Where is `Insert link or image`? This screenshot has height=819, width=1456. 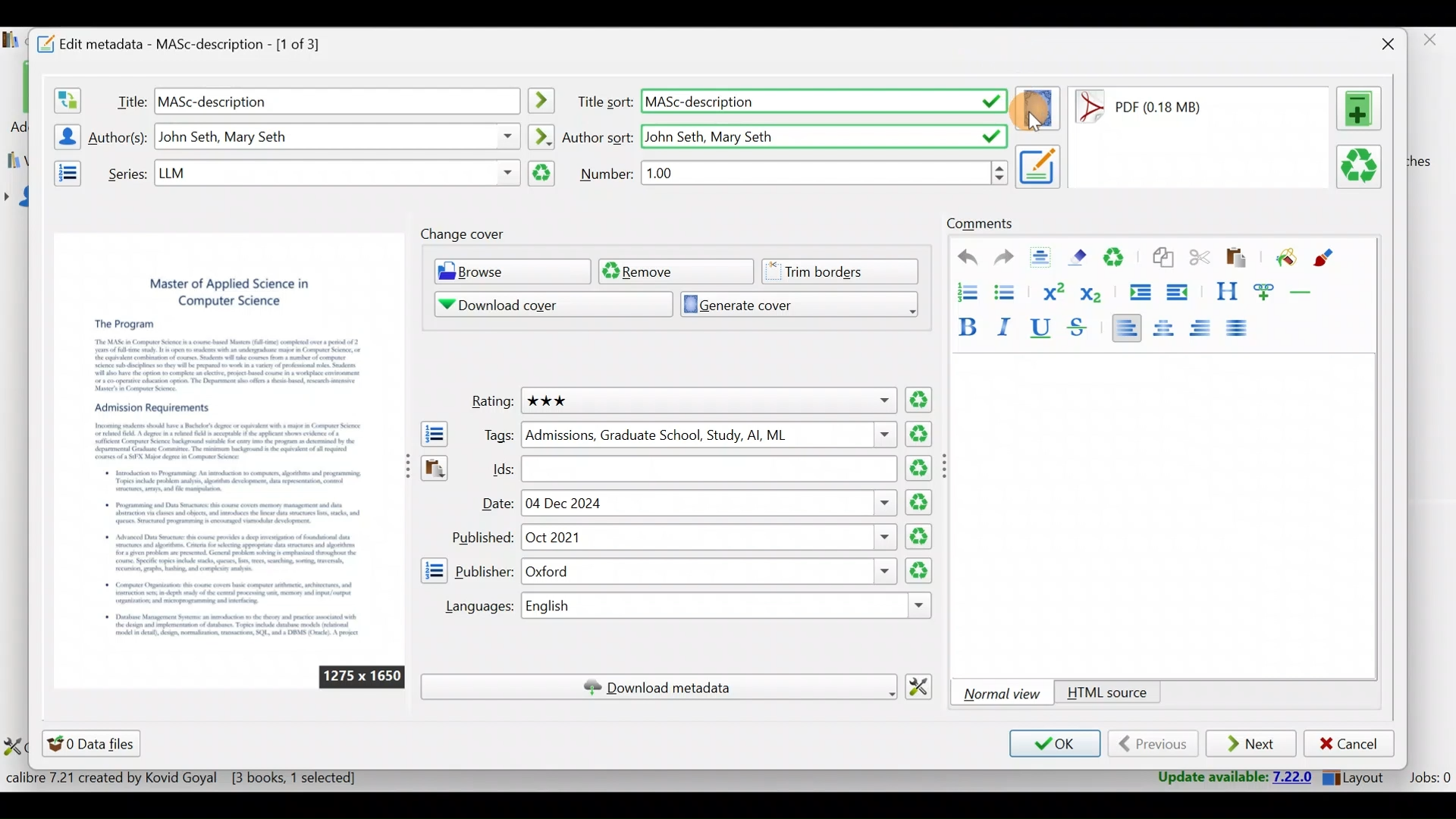
Insert link or image is located at coordinates (1267, 291).